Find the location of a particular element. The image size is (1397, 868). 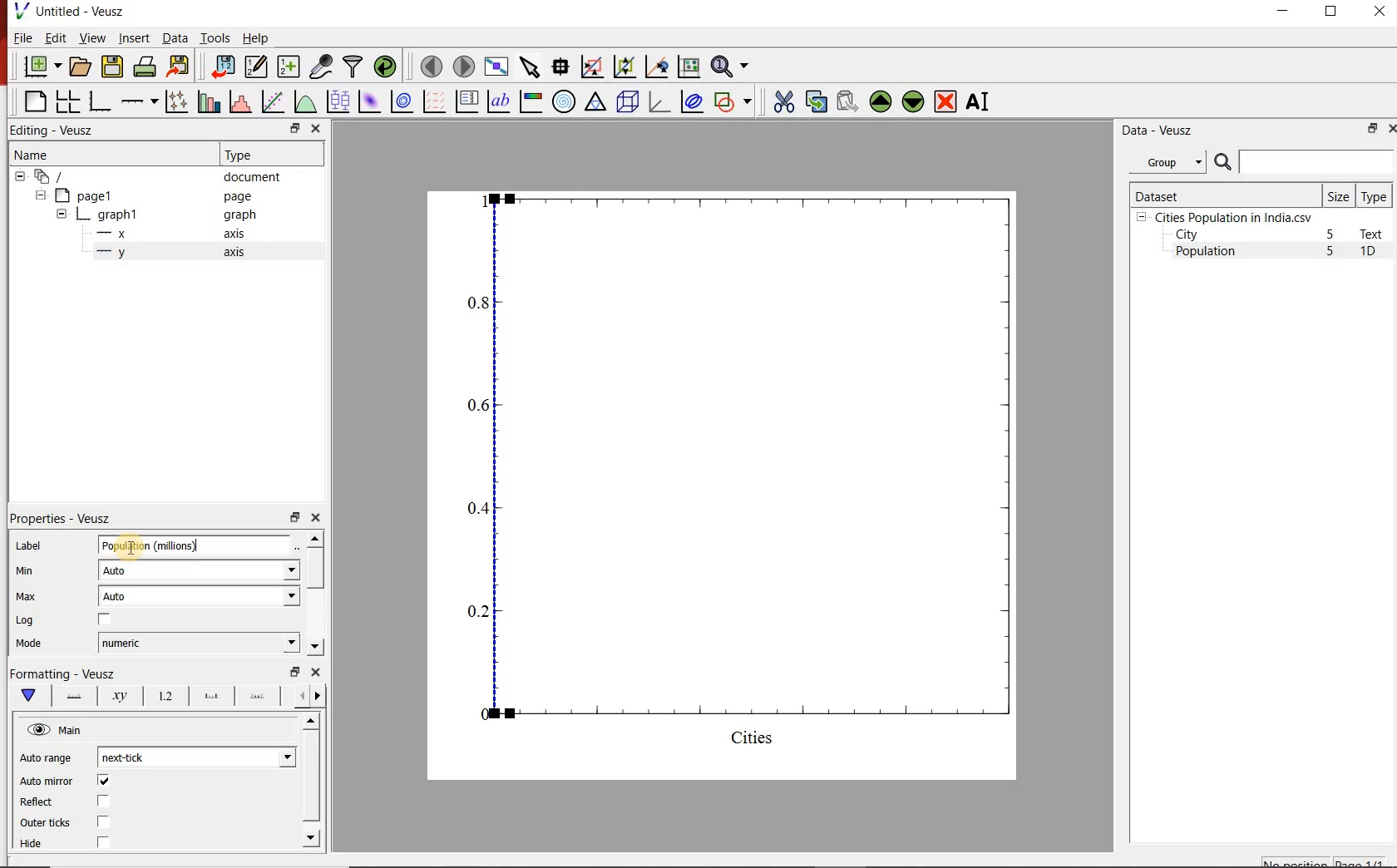

plot points with lines and errorbars is located at coordinates (174, 101).